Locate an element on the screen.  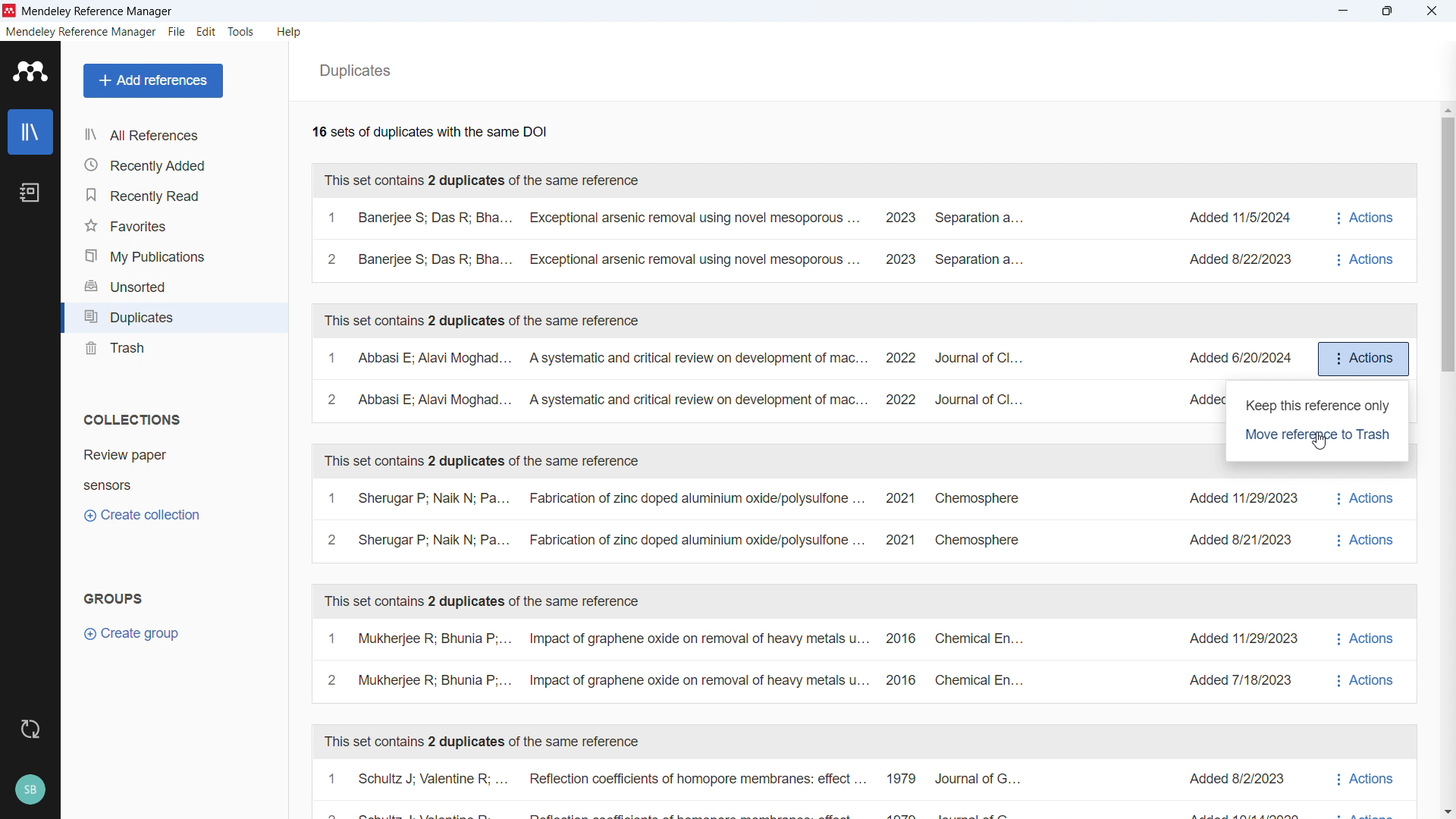
Duplicates  is located at coordinates (356, 71).